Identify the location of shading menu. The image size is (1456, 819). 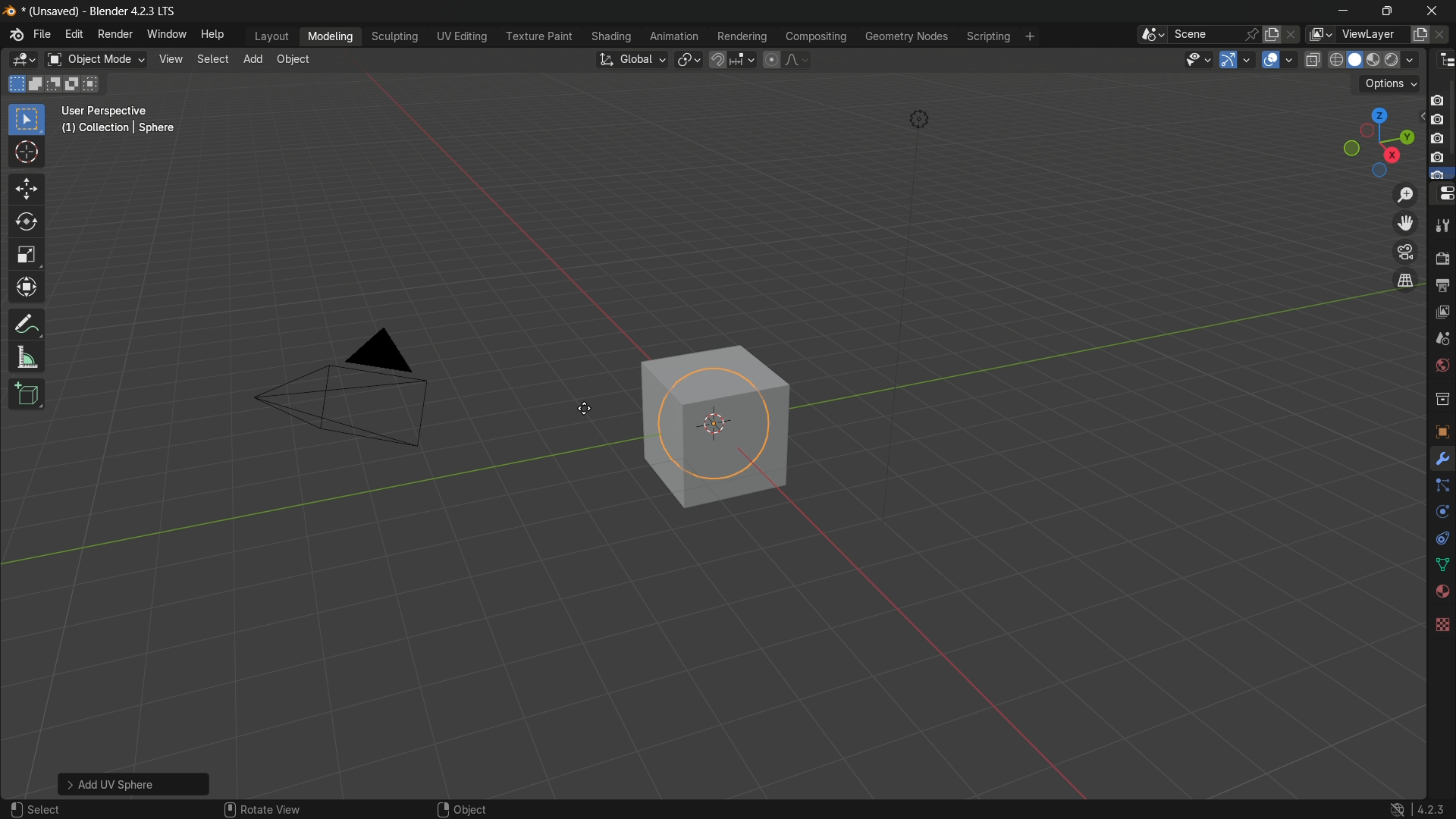
(611, 36).